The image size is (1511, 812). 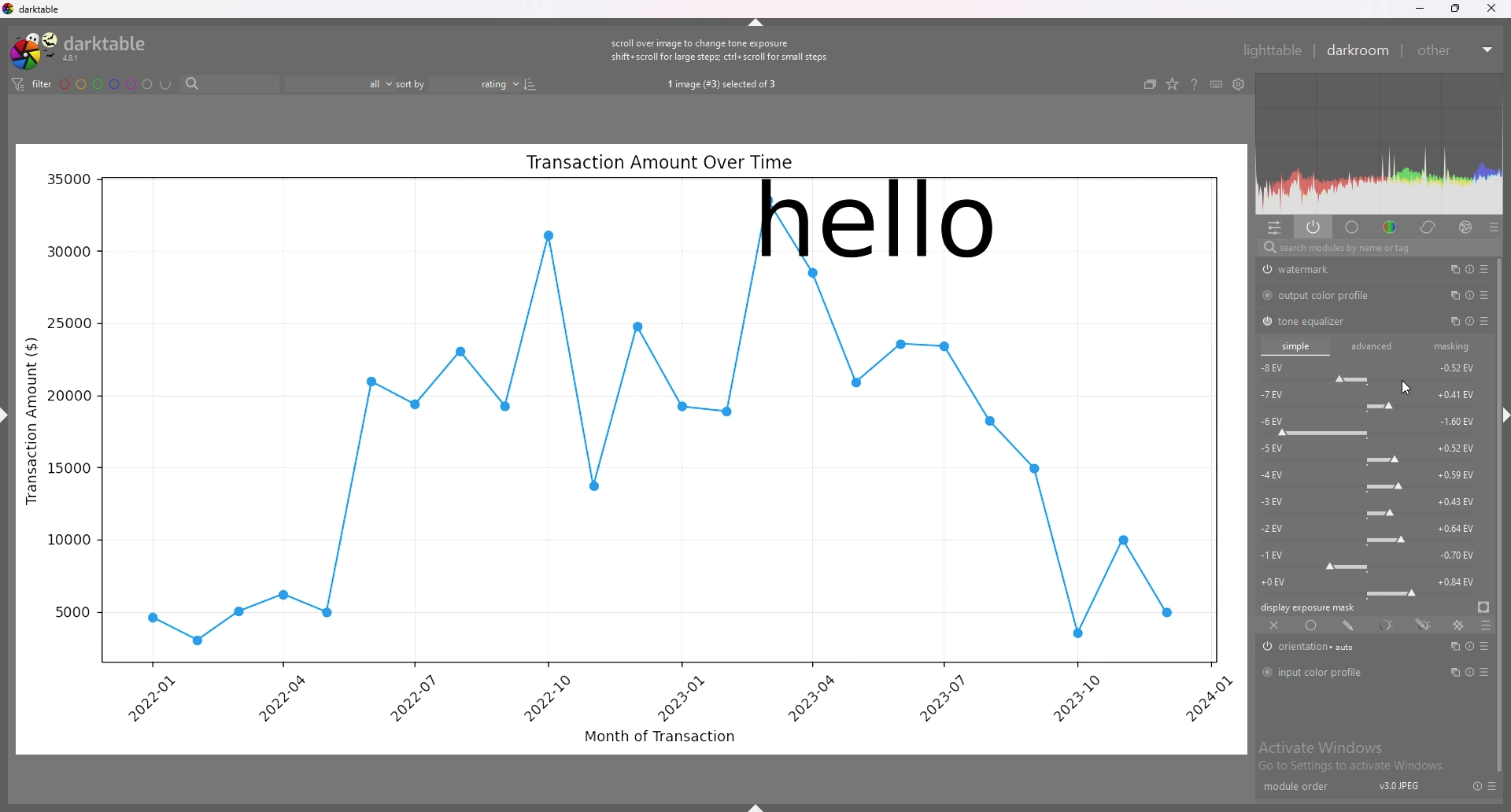 I want to click on Transaction Amount ($), so click(x=32, y=419).